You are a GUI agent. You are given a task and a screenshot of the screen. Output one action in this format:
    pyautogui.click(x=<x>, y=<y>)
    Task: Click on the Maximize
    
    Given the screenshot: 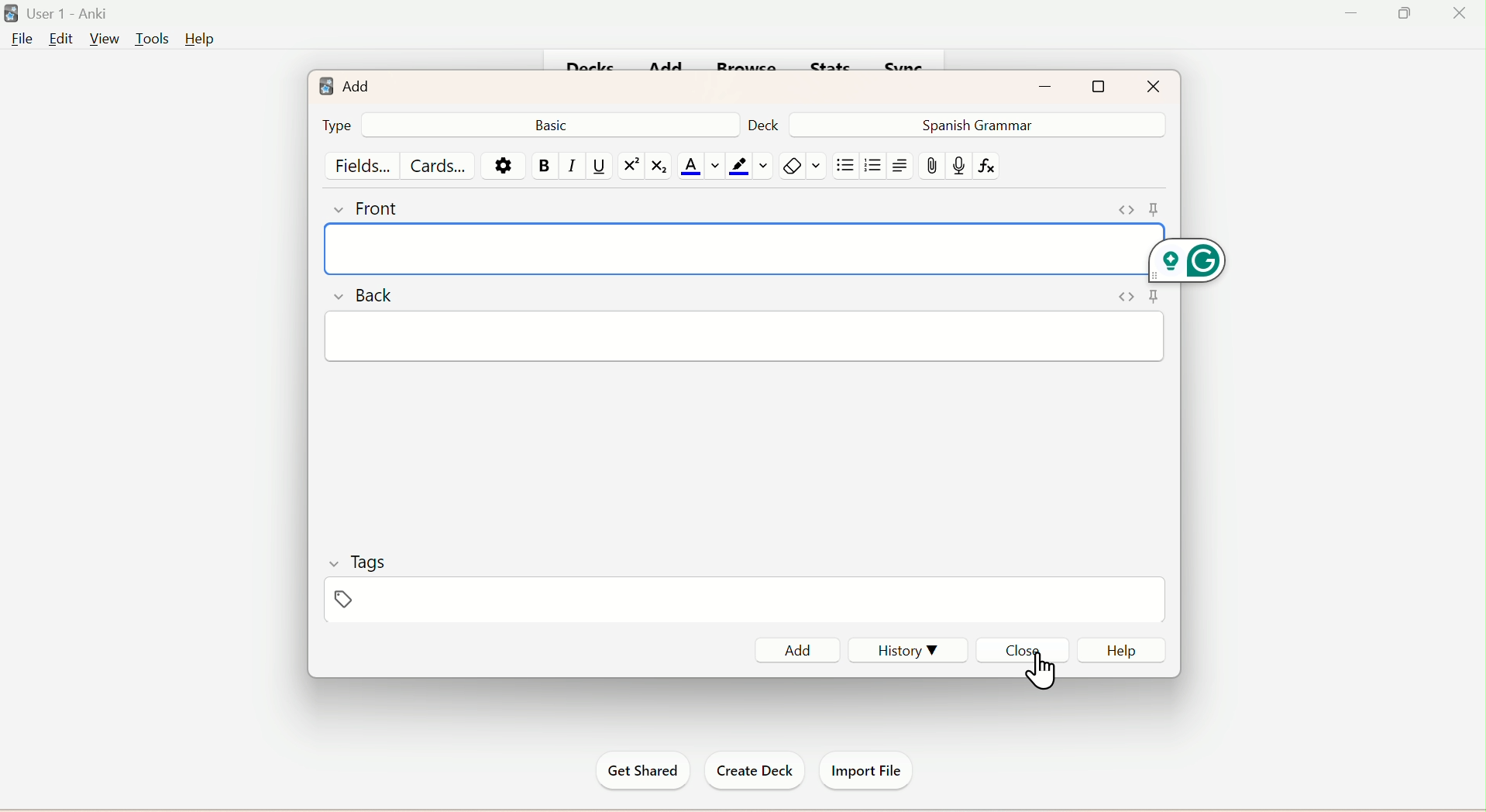 What is the action you would take?
    pyautogui.click(x=1410, y=12)
    